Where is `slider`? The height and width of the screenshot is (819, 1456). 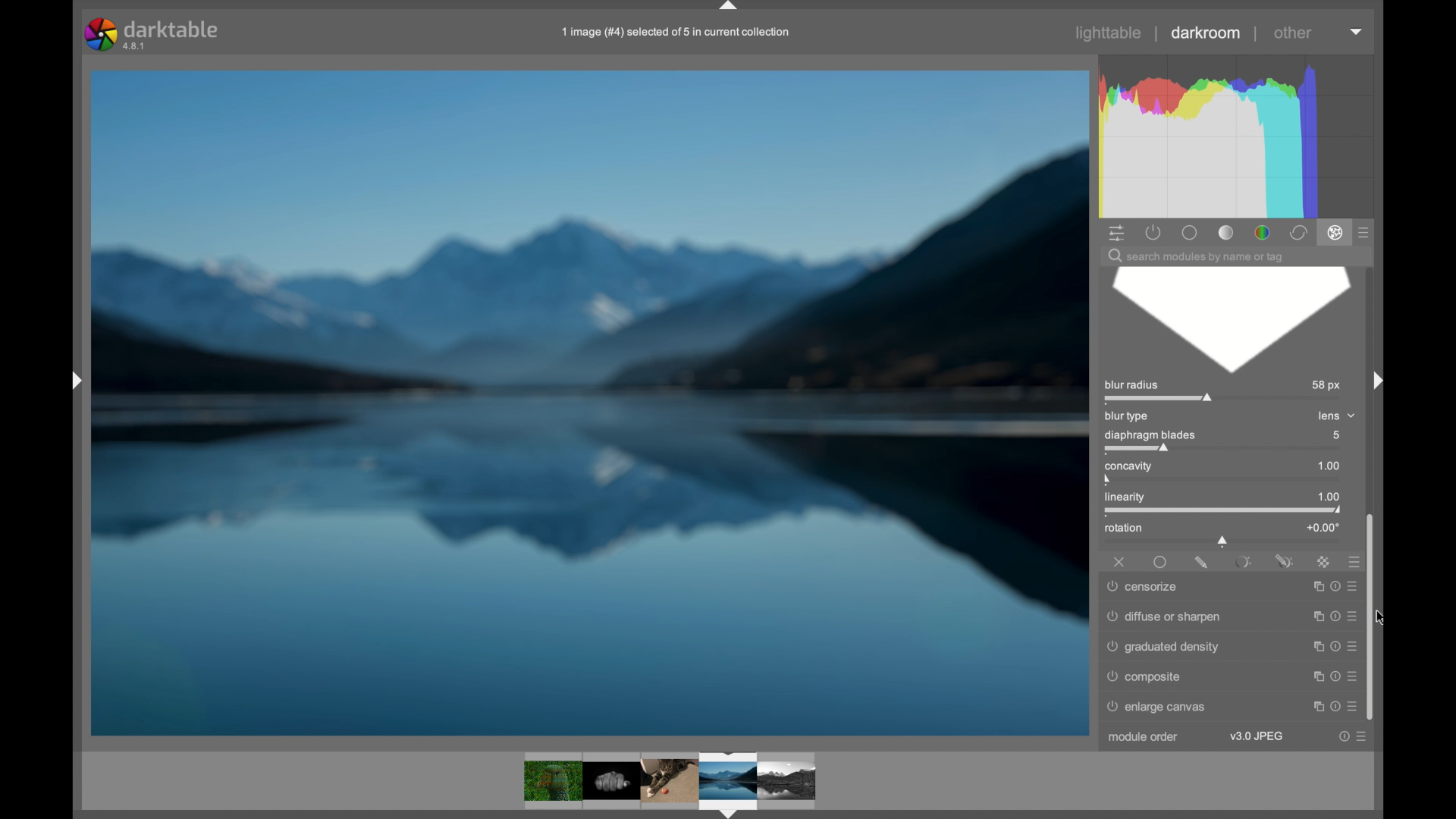
slider is located at coordinates (1223, 541).